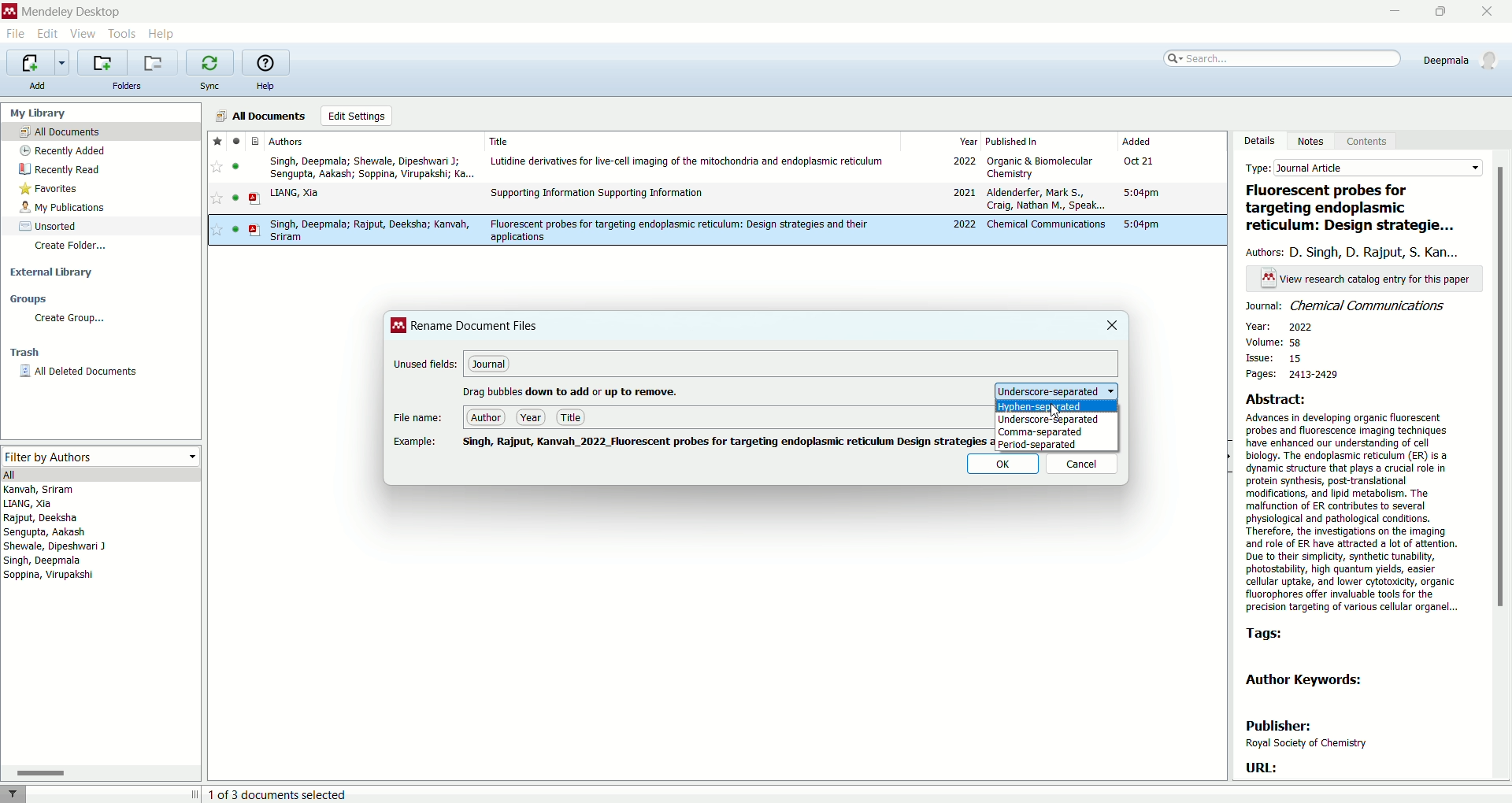 The width and height of the screenshot is (1512, 803). I want to click on 2022, so click(962, 162).